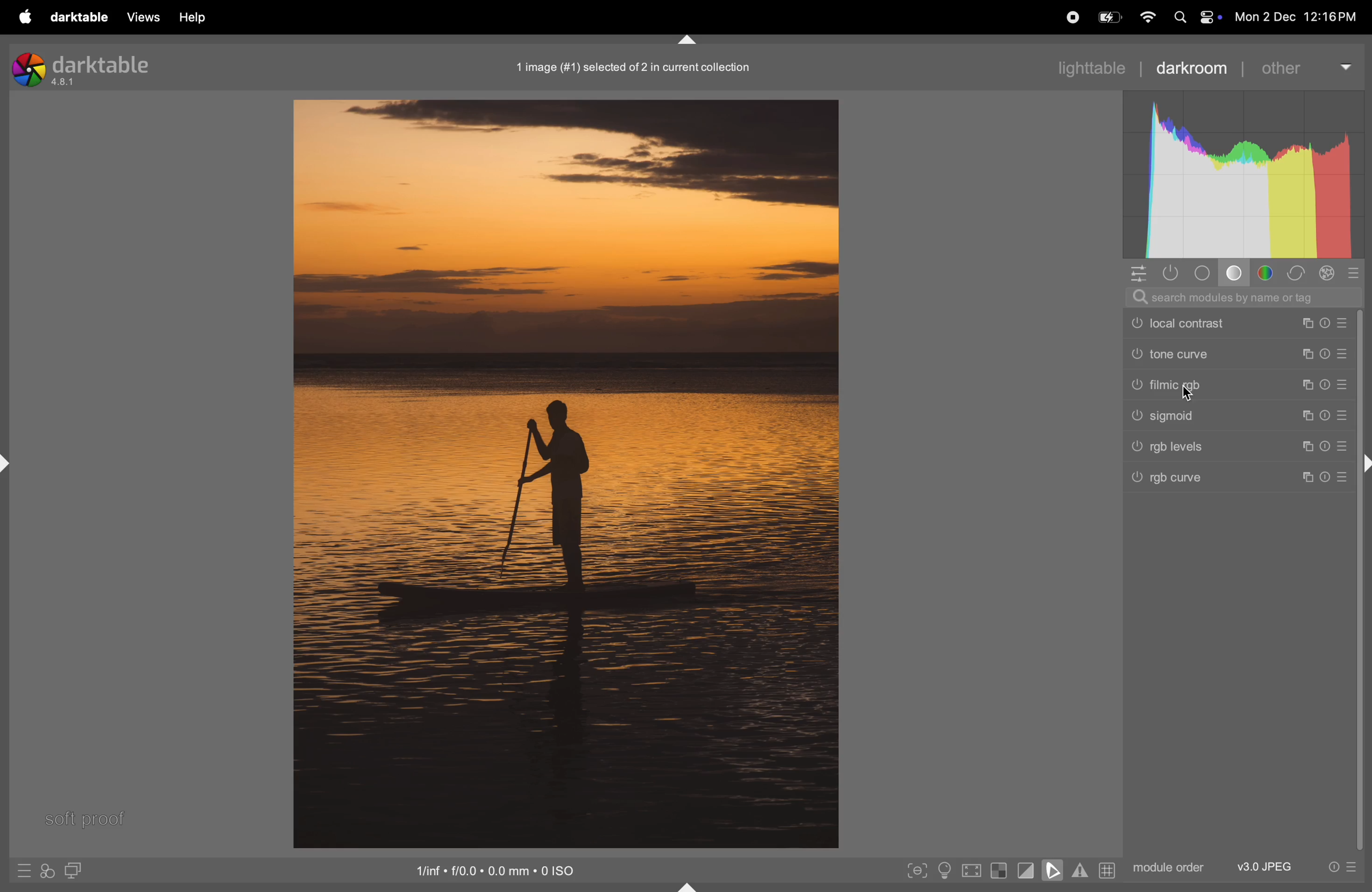  What do you see at coordinates (1337, 866) in the screenshot?
I see `quick acess to presets` at bounding box center [1337, 866].